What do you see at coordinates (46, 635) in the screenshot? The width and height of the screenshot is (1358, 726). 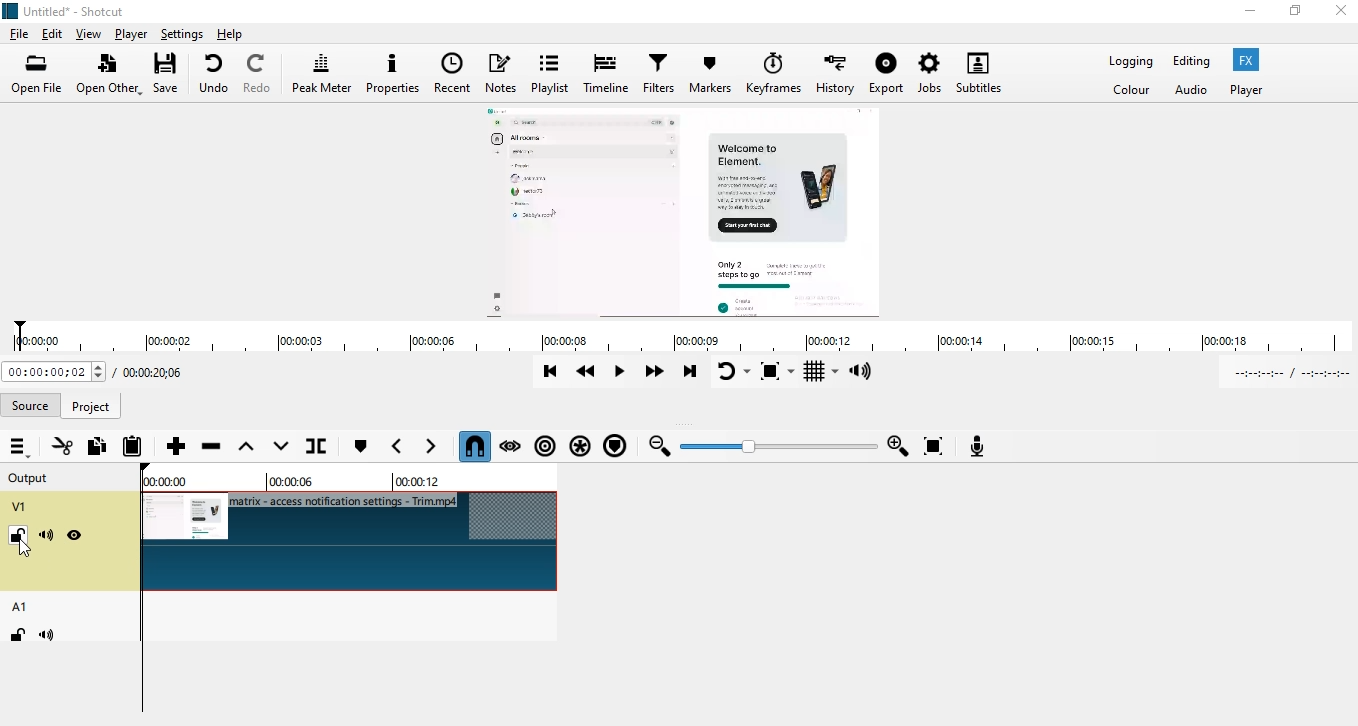 I see `mute` at bounding box center [46, 635].